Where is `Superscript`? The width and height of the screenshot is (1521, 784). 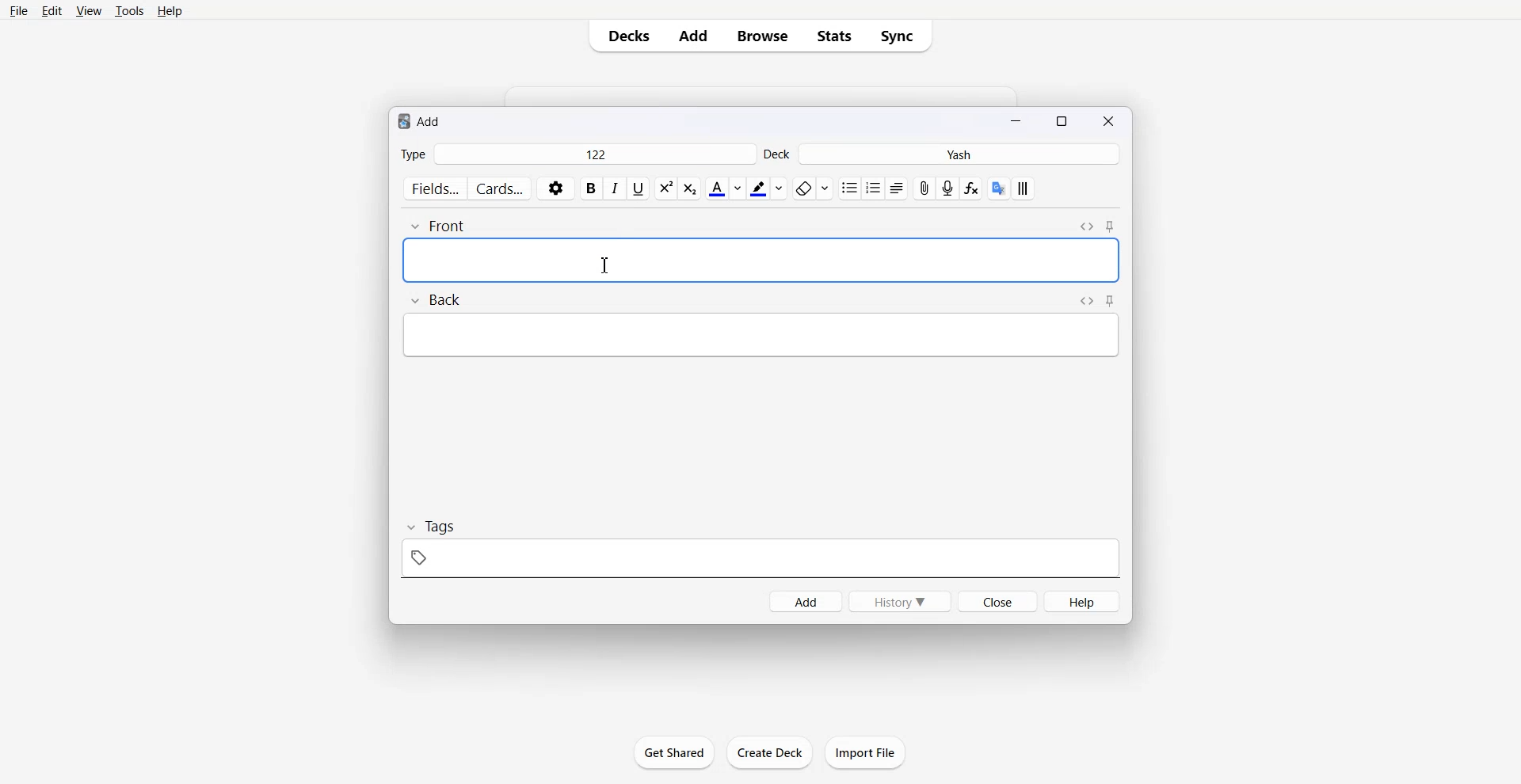 Superscript is located at coordinates (692, 188).